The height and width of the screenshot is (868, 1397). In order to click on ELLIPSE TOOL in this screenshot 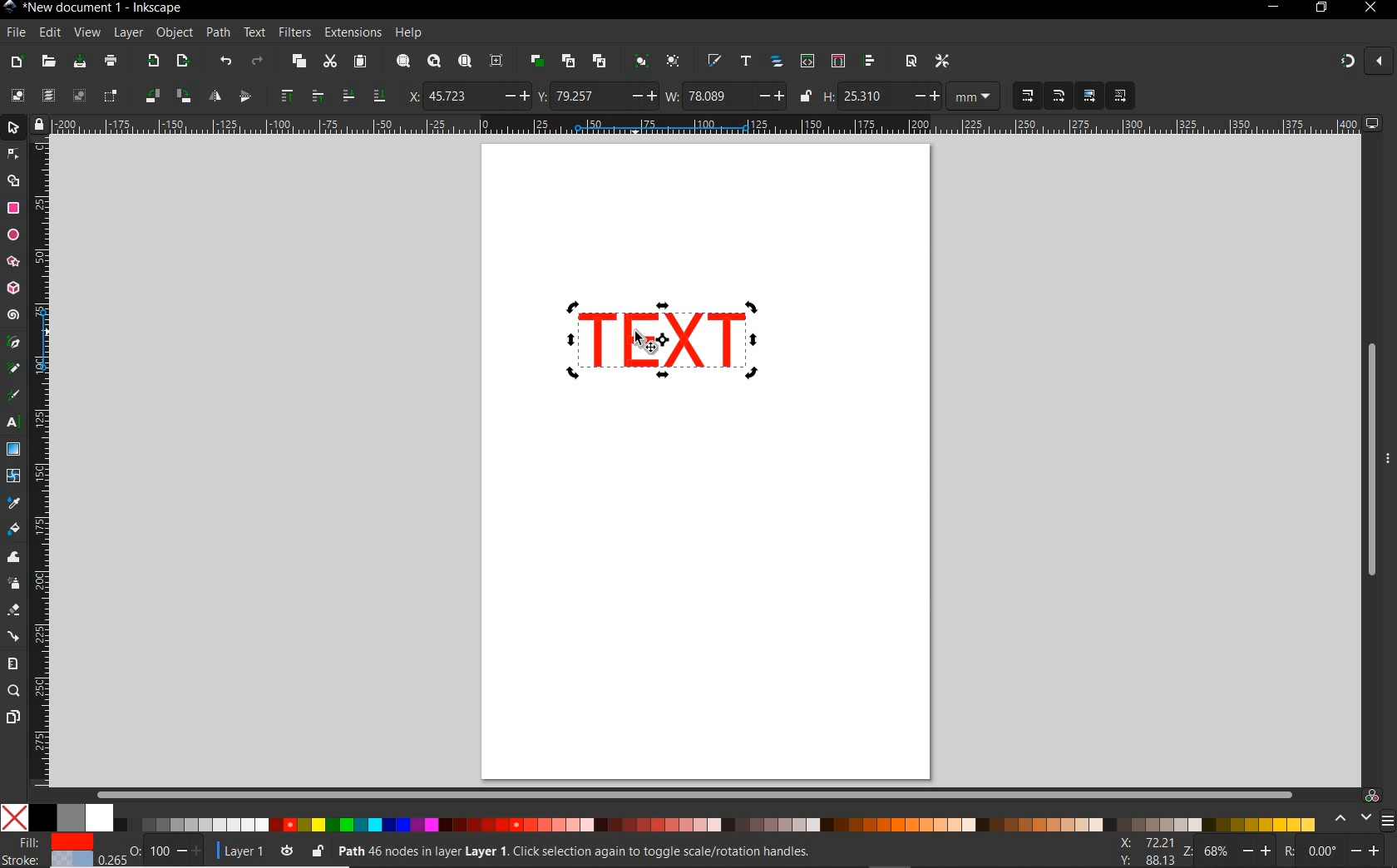, I will do `click(14, 236)`.